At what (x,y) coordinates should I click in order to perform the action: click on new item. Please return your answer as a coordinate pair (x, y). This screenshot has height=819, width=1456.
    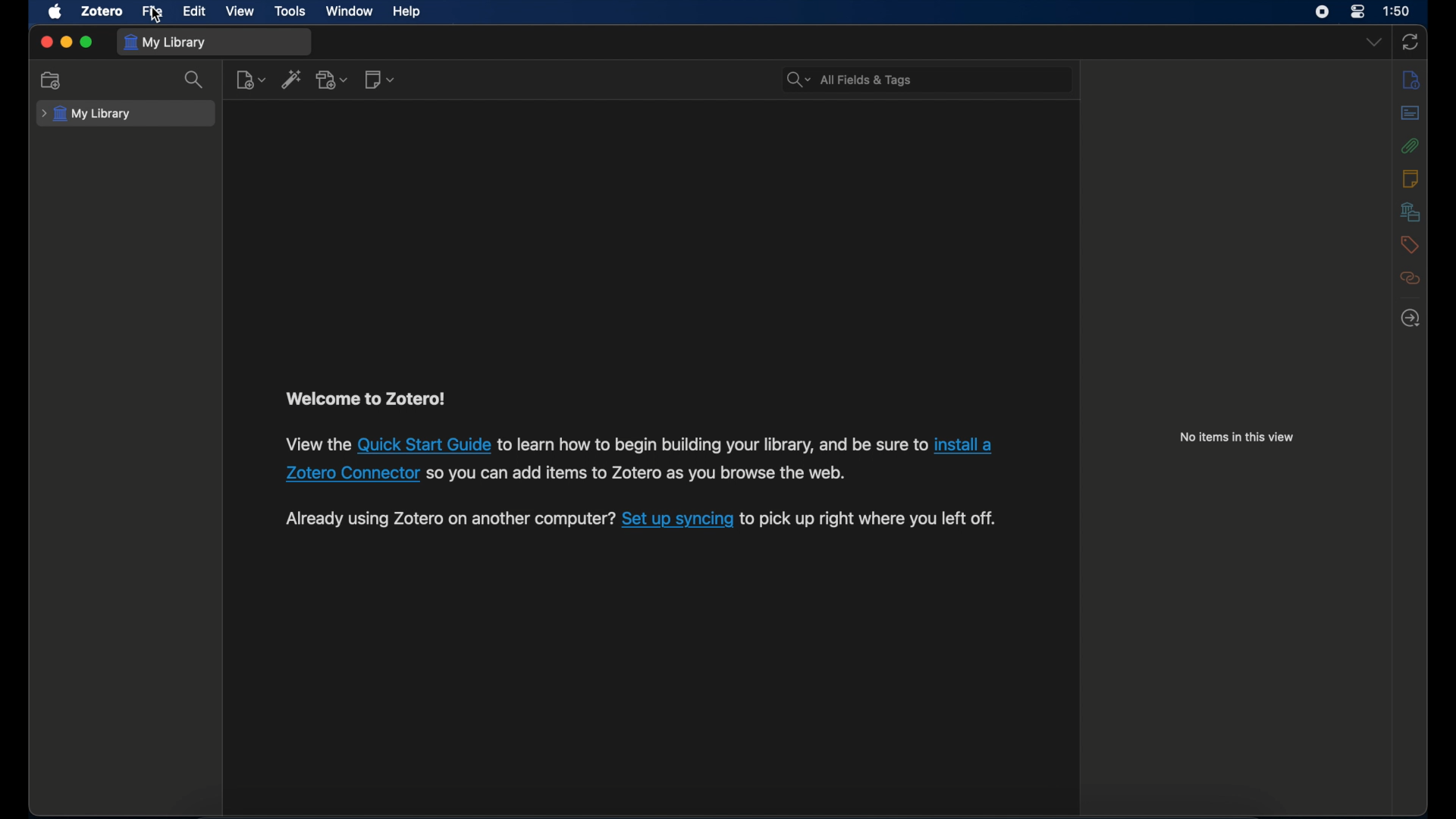
    Looking at the image, I should click on (250, 79).